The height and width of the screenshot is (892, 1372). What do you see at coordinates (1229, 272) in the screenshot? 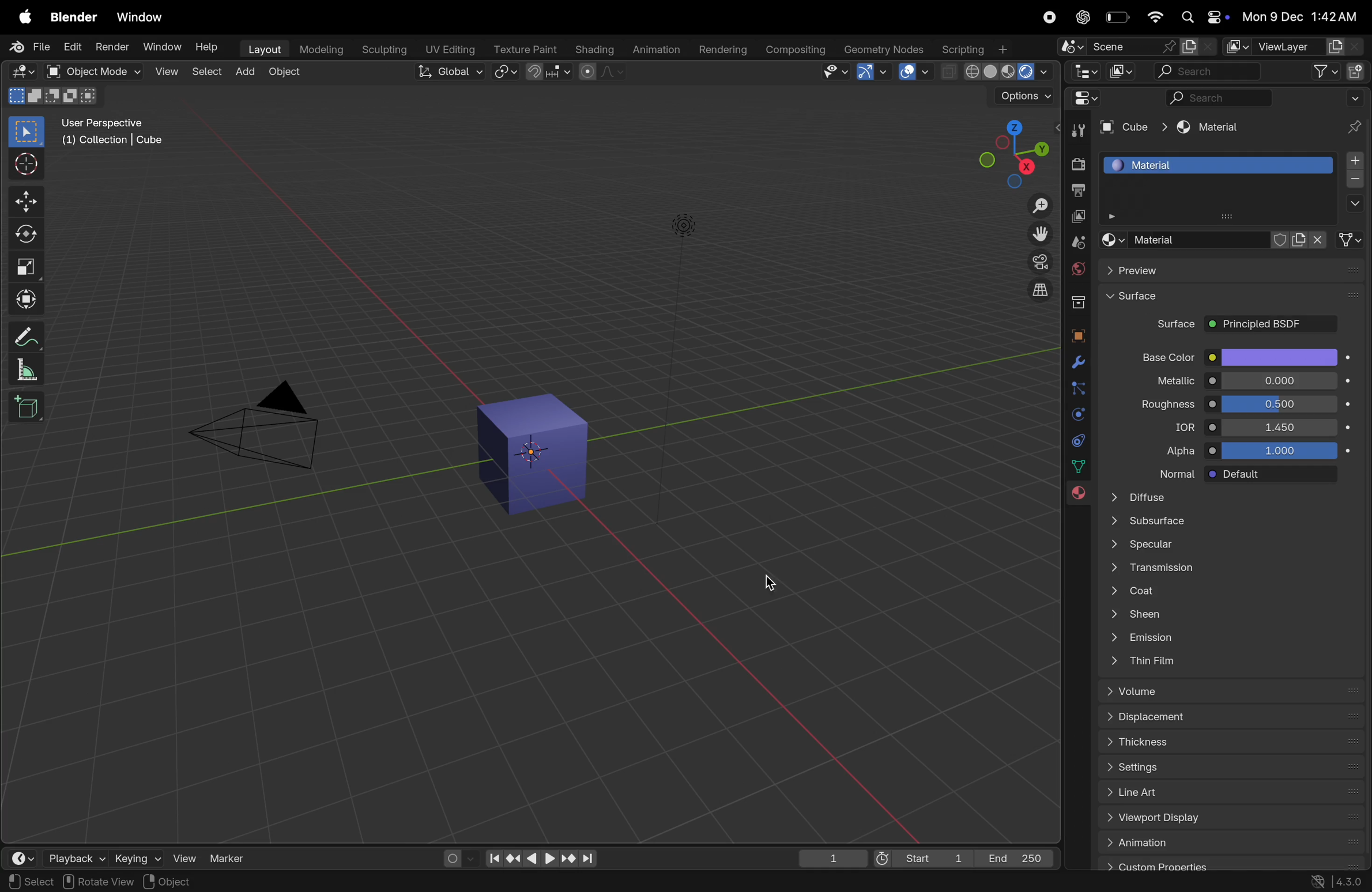
I see `Preview` at bounding box center [1229, 272].